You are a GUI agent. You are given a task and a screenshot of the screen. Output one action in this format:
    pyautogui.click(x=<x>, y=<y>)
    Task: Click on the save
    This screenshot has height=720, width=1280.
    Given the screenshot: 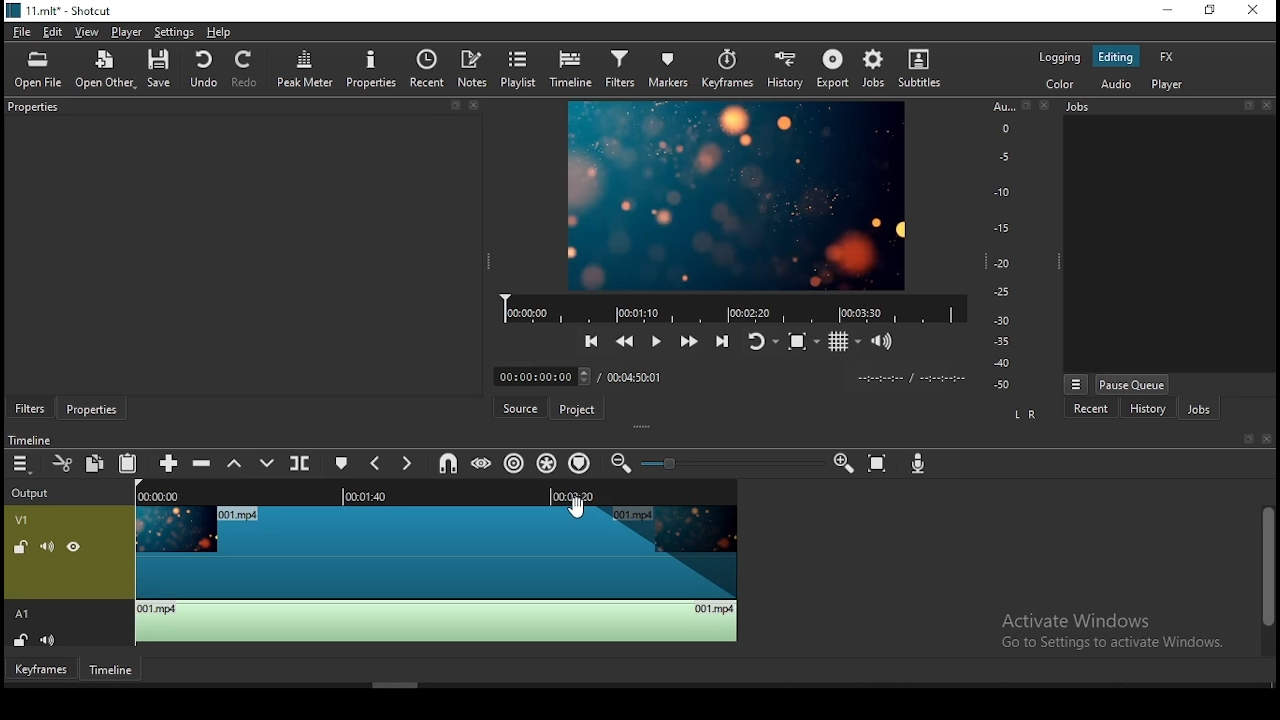 What is the action you would take?
    pyautogui.click(x=159, y=66)
    